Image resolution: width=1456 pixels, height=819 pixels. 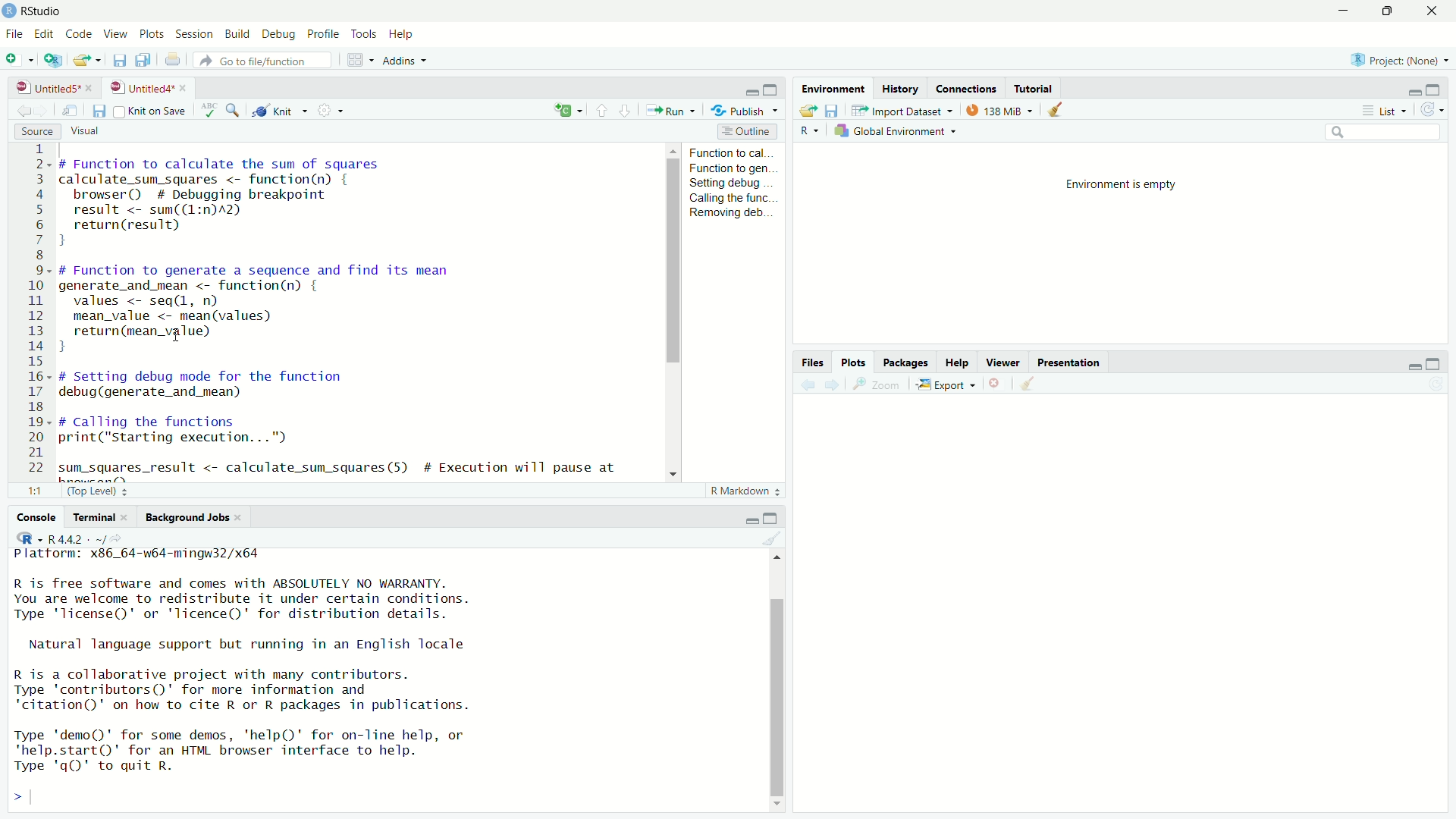 I want to click on packages, so click(x=908, y=362).